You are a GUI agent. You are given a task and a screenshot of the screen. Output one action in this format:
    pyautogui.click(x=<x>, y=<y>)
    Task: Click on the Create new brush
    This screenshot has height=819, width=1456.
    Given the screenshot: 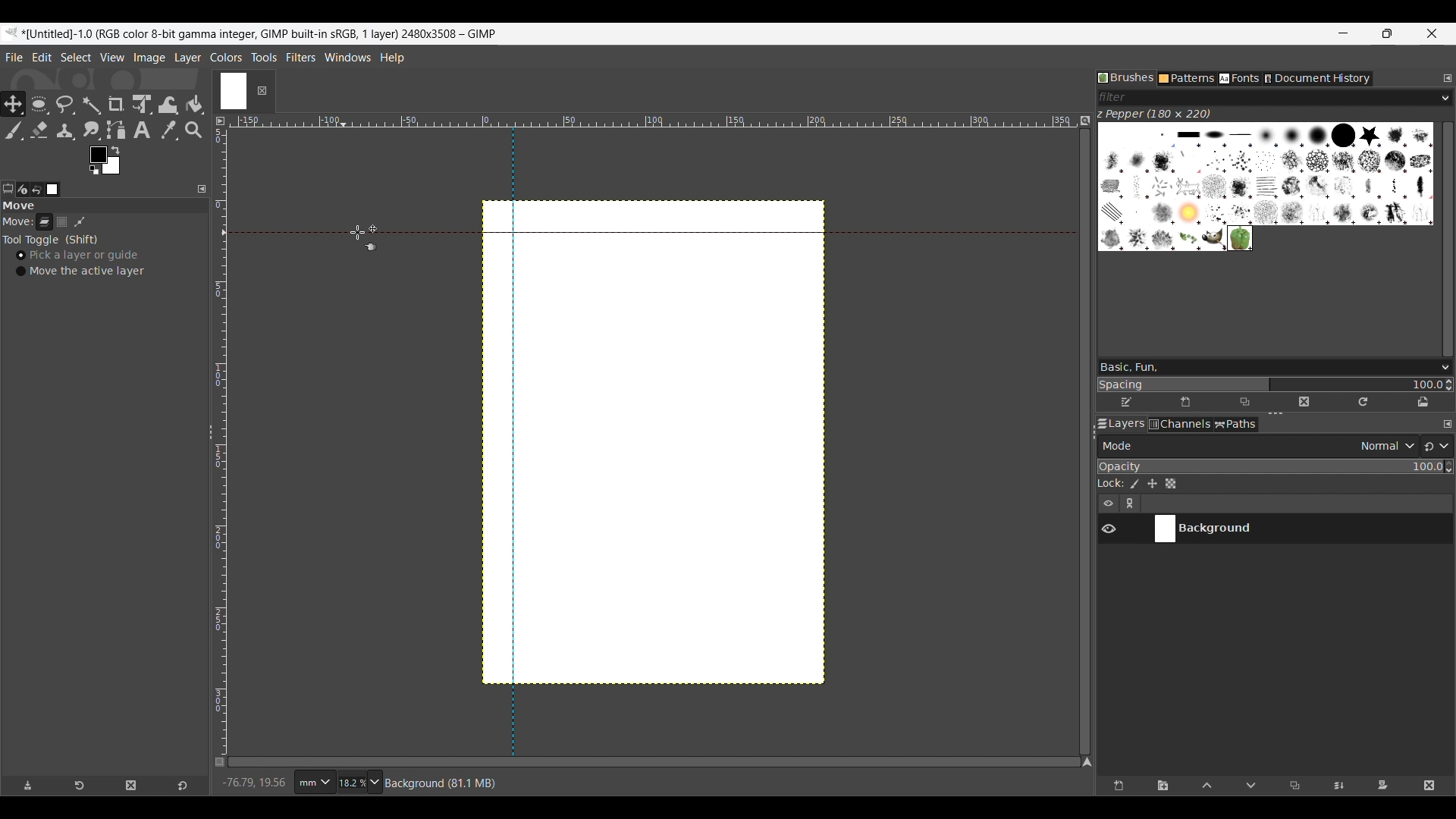 What is the action you would take?
    pyautogui.click(x=1185, y=403)
    